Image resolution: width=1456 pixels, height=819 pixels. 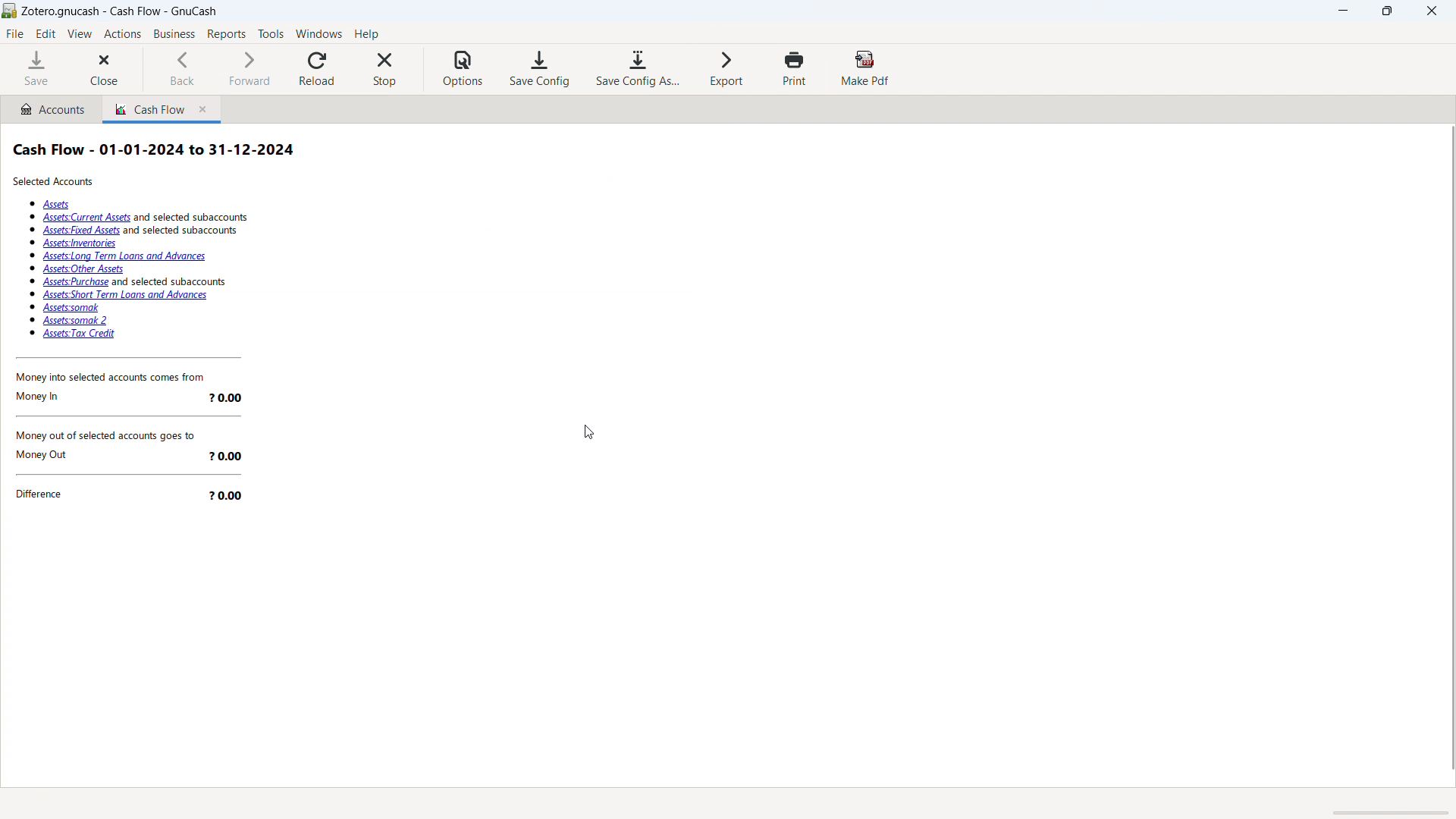 What do you see at coordinates (146, 231) in the screenshot?
I see `Assets: fixed Assets` at bounding box center [146, 231].